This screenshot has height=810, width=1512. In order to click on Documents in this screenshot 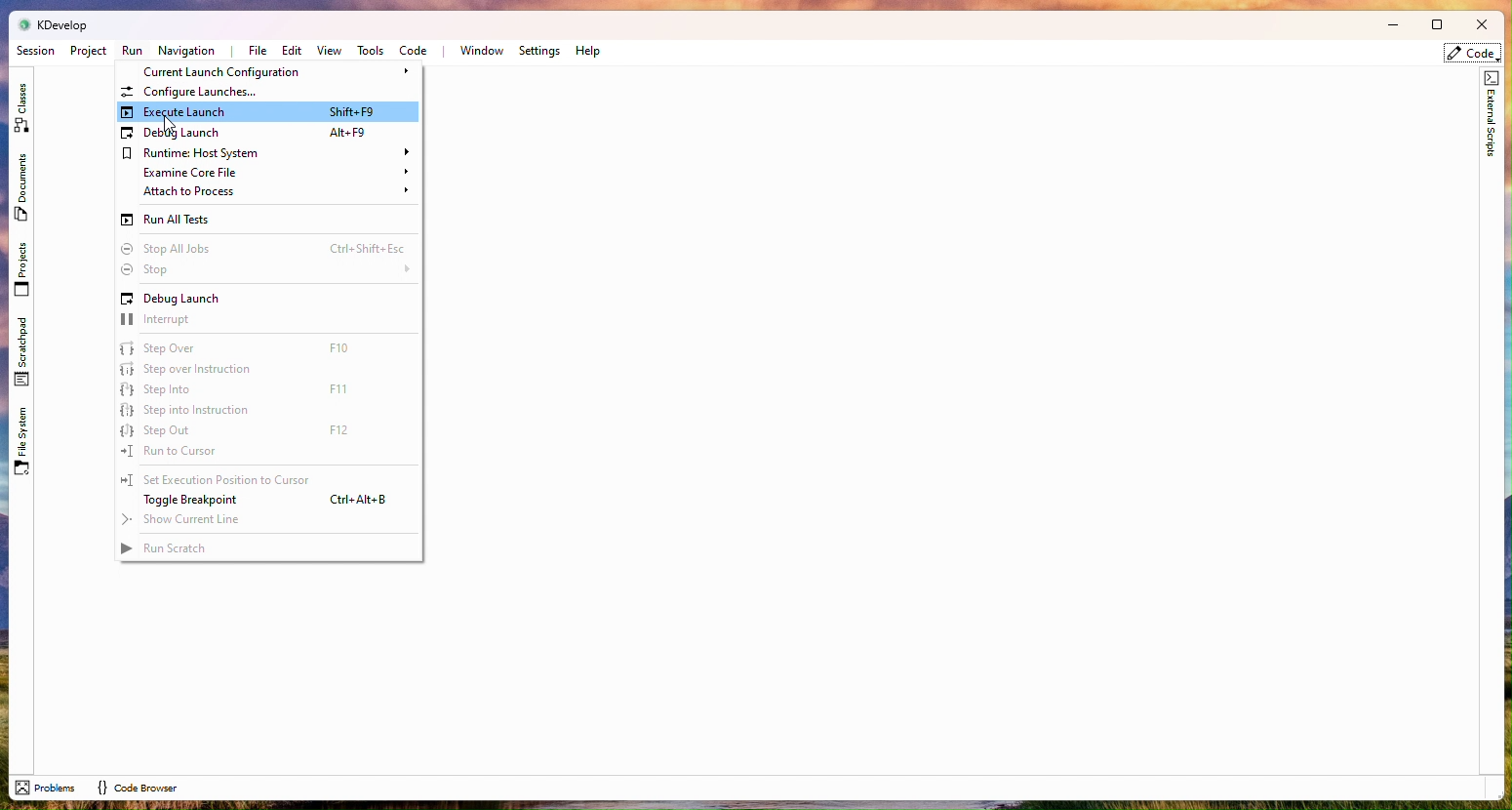, I will do `click(20, 188)`.